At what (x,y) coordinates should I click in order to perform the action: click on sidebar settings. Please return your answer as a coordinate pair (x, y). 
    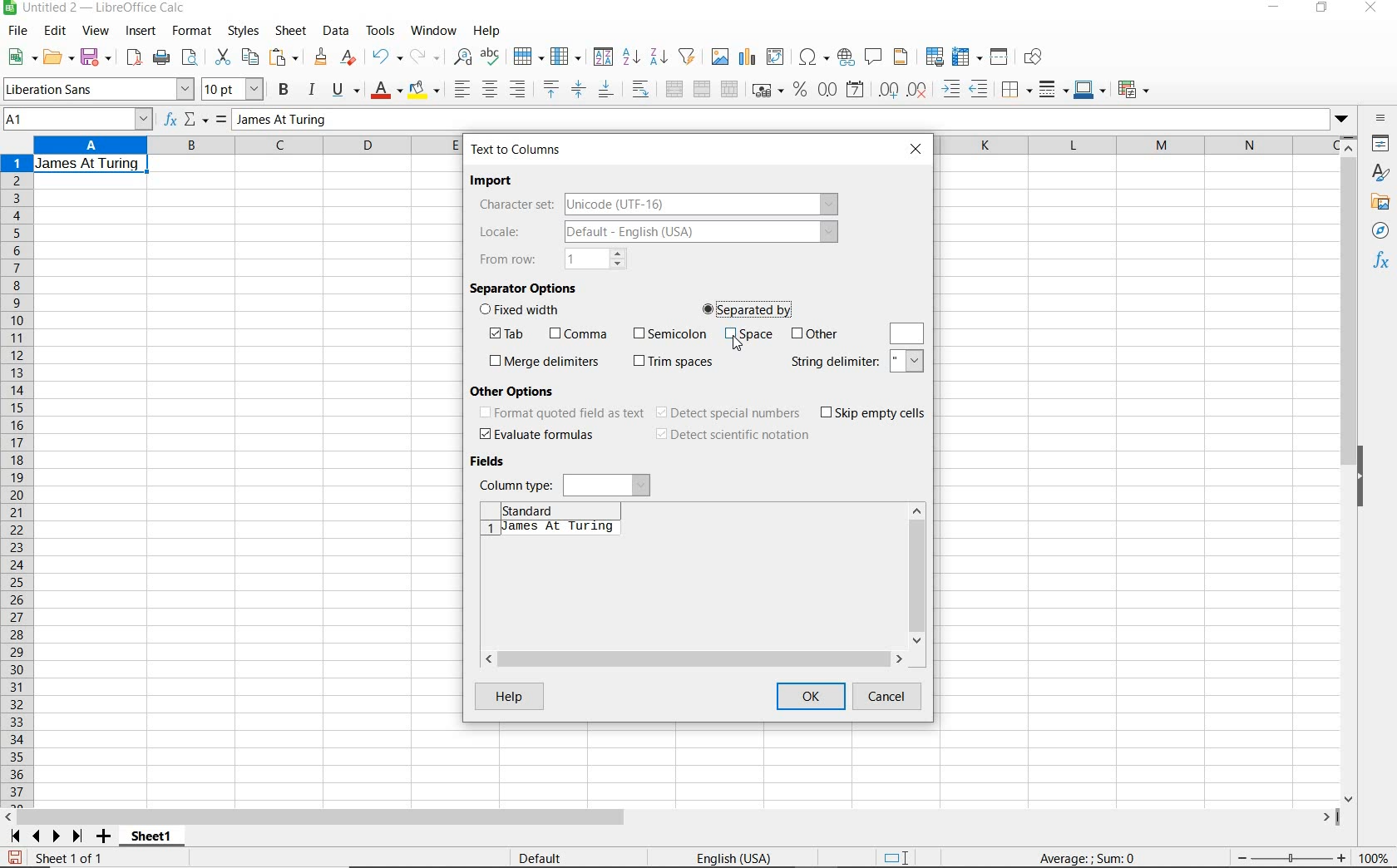
    Looking at the image, I should click on (1380, 120).